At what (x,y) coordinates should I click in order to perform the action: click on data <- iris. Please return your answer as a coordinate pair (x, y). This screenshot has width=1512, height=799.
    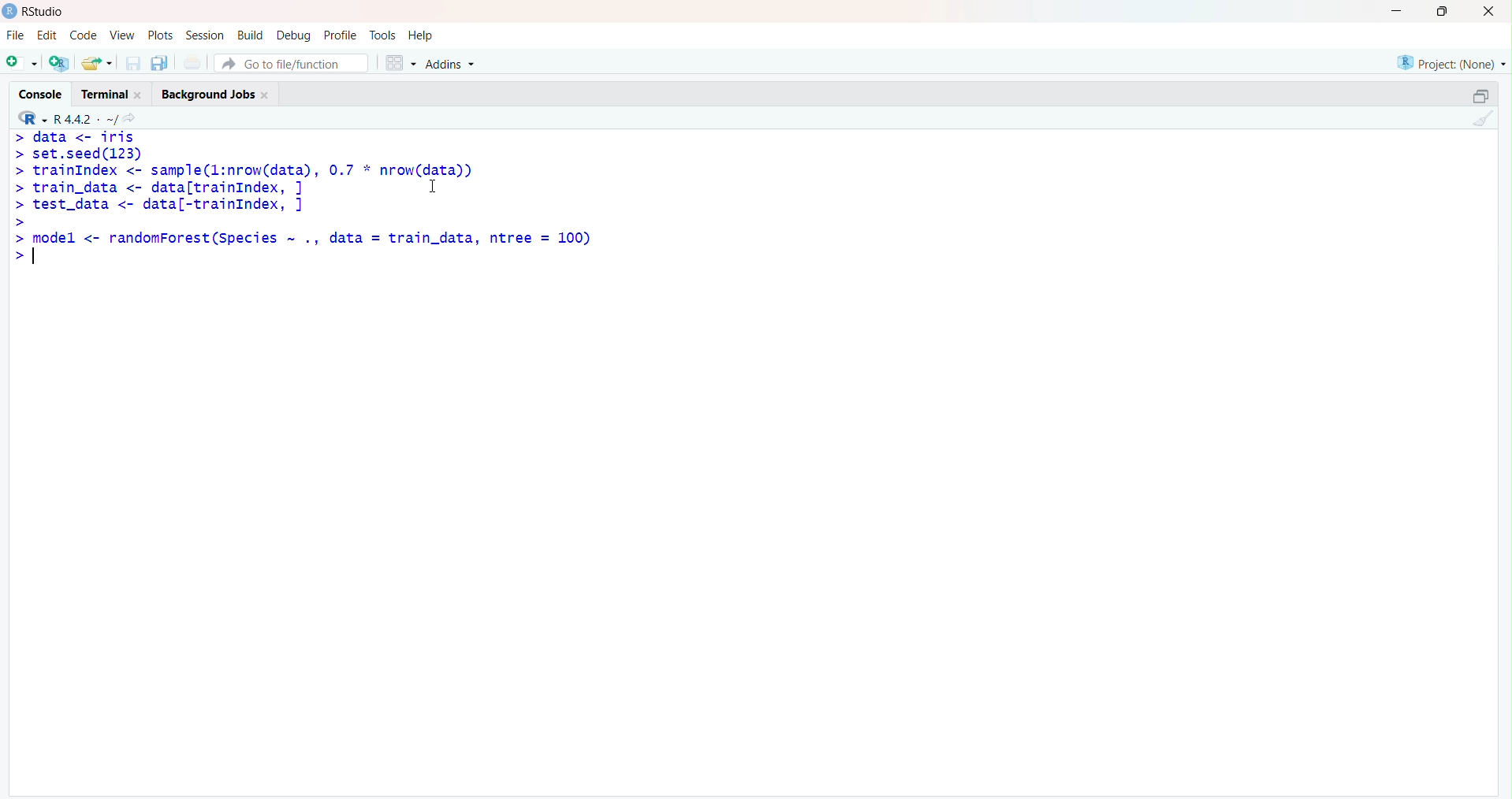
    Looking at the image, I should click on (85, 136).